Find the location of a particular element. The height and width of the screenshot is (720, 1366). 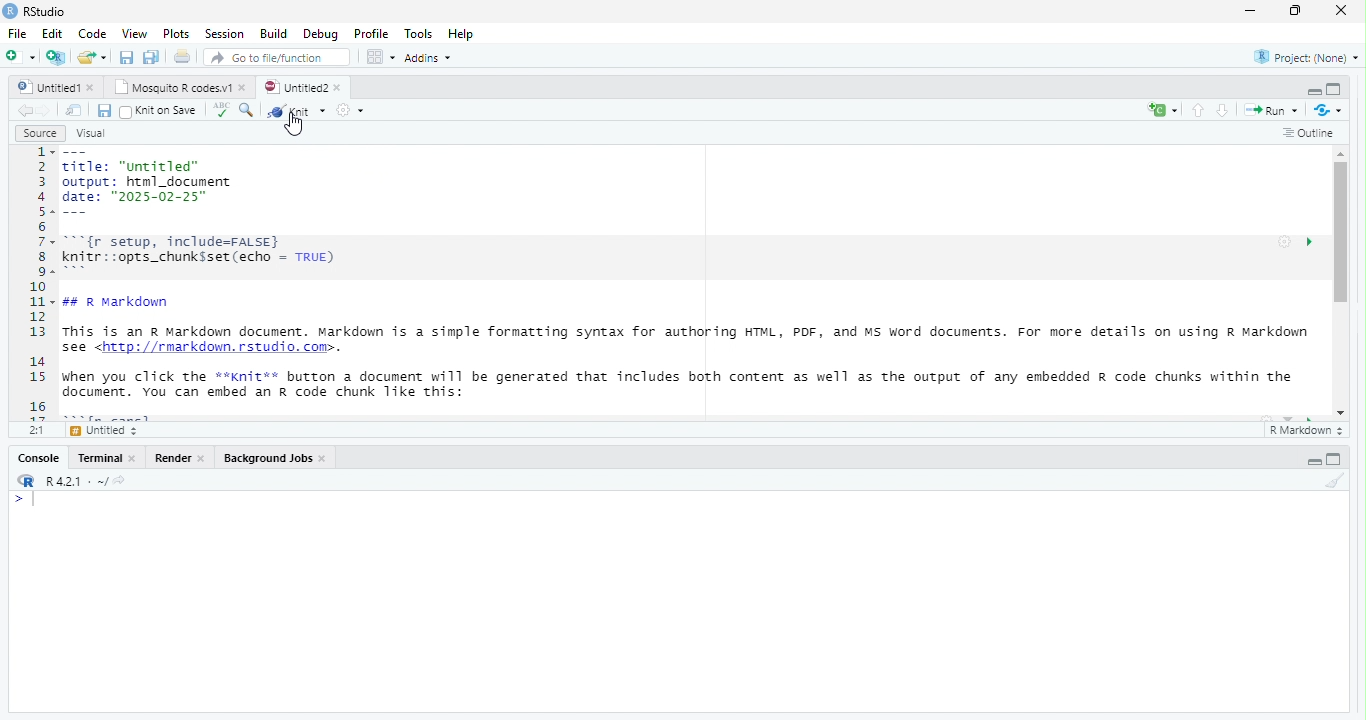

Edit is located at coordinates (54, 33).